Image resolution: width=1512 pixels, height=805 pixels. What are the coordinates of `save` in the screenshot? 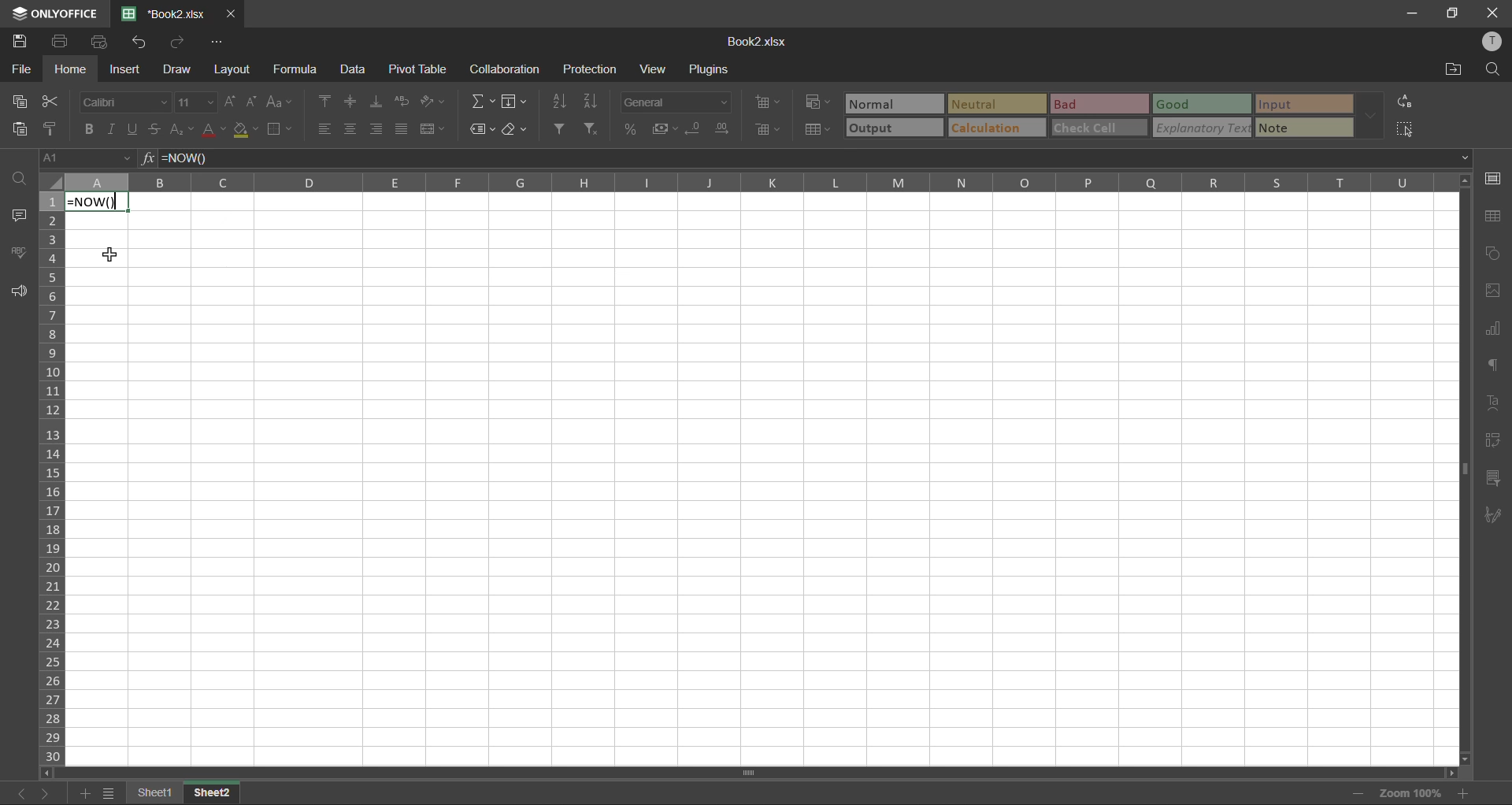 It's located at (23, 42).